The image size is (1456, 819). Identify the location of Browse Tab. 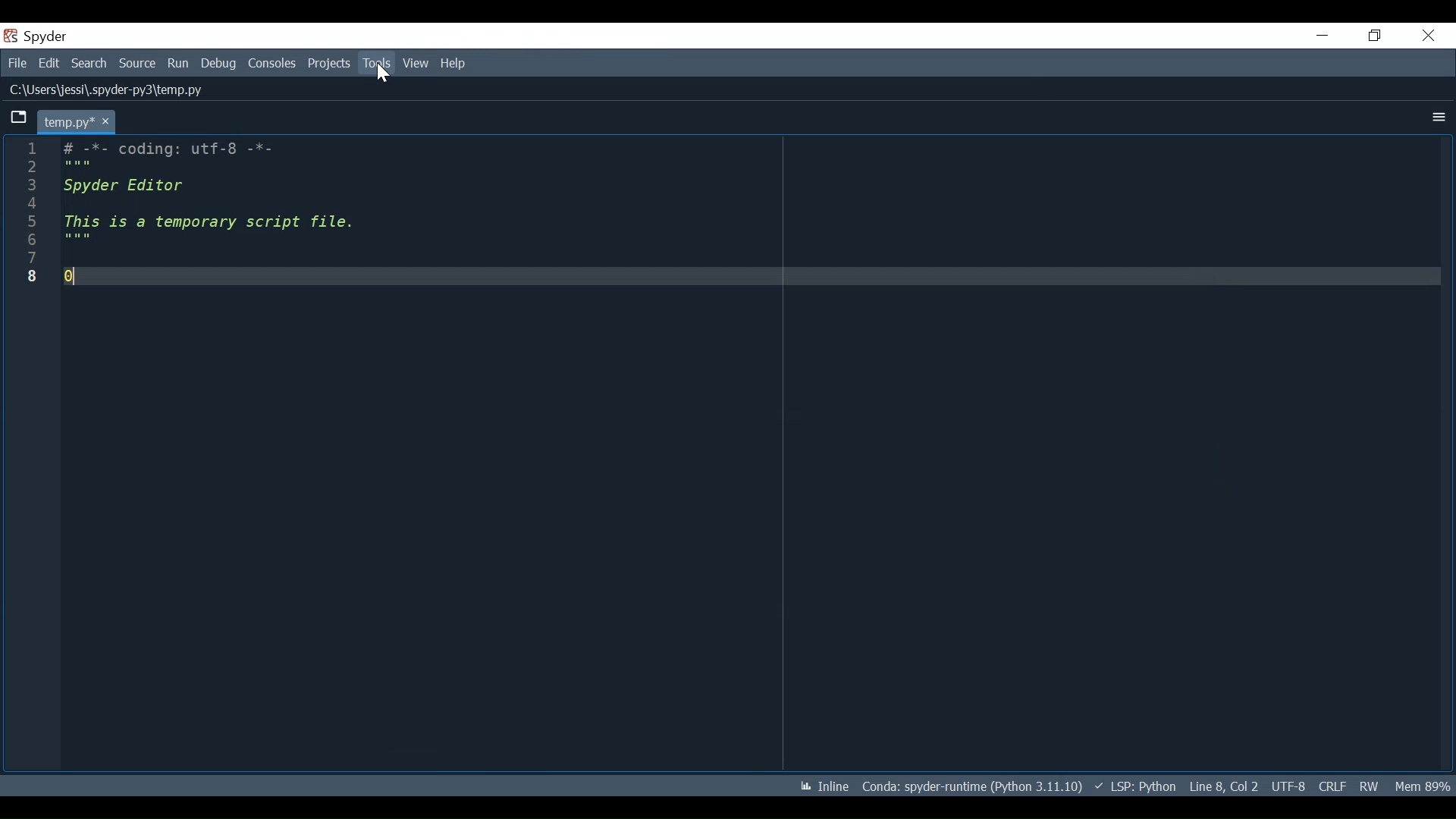
(17, 119).